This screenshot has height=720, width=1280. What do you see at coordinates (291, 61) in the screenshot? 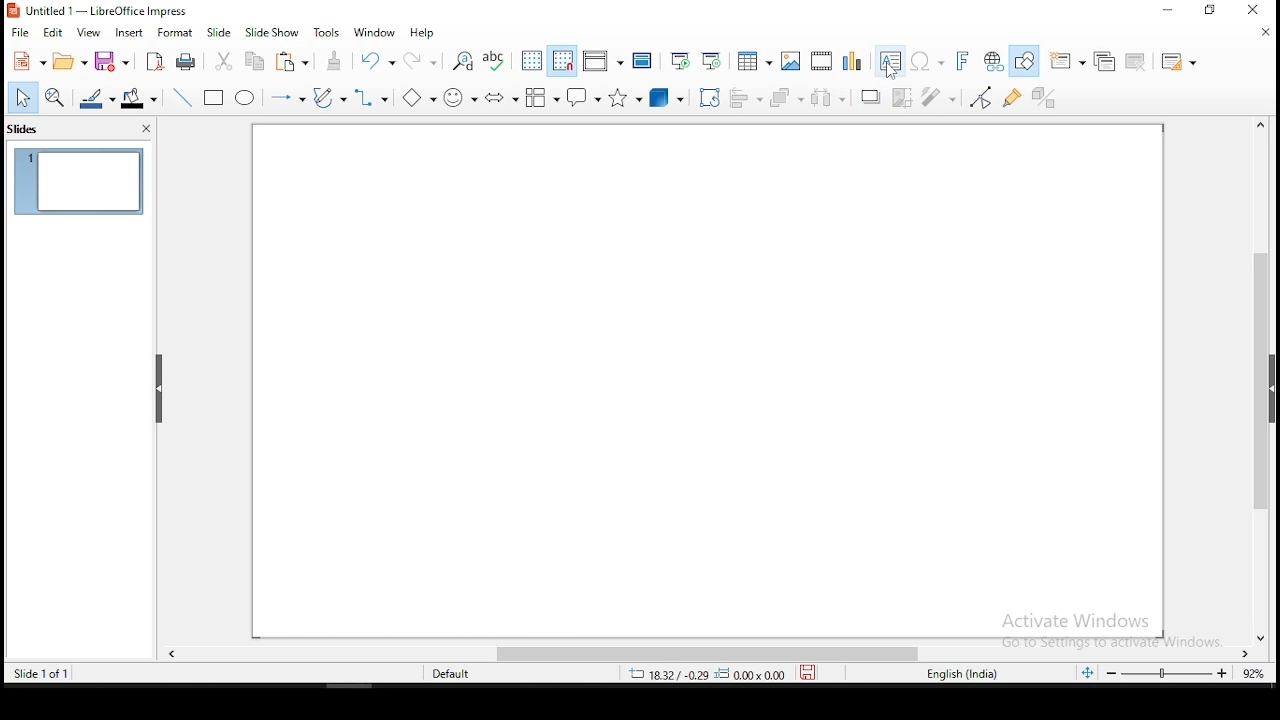
I see `paste` at bounding box center [291, 61].